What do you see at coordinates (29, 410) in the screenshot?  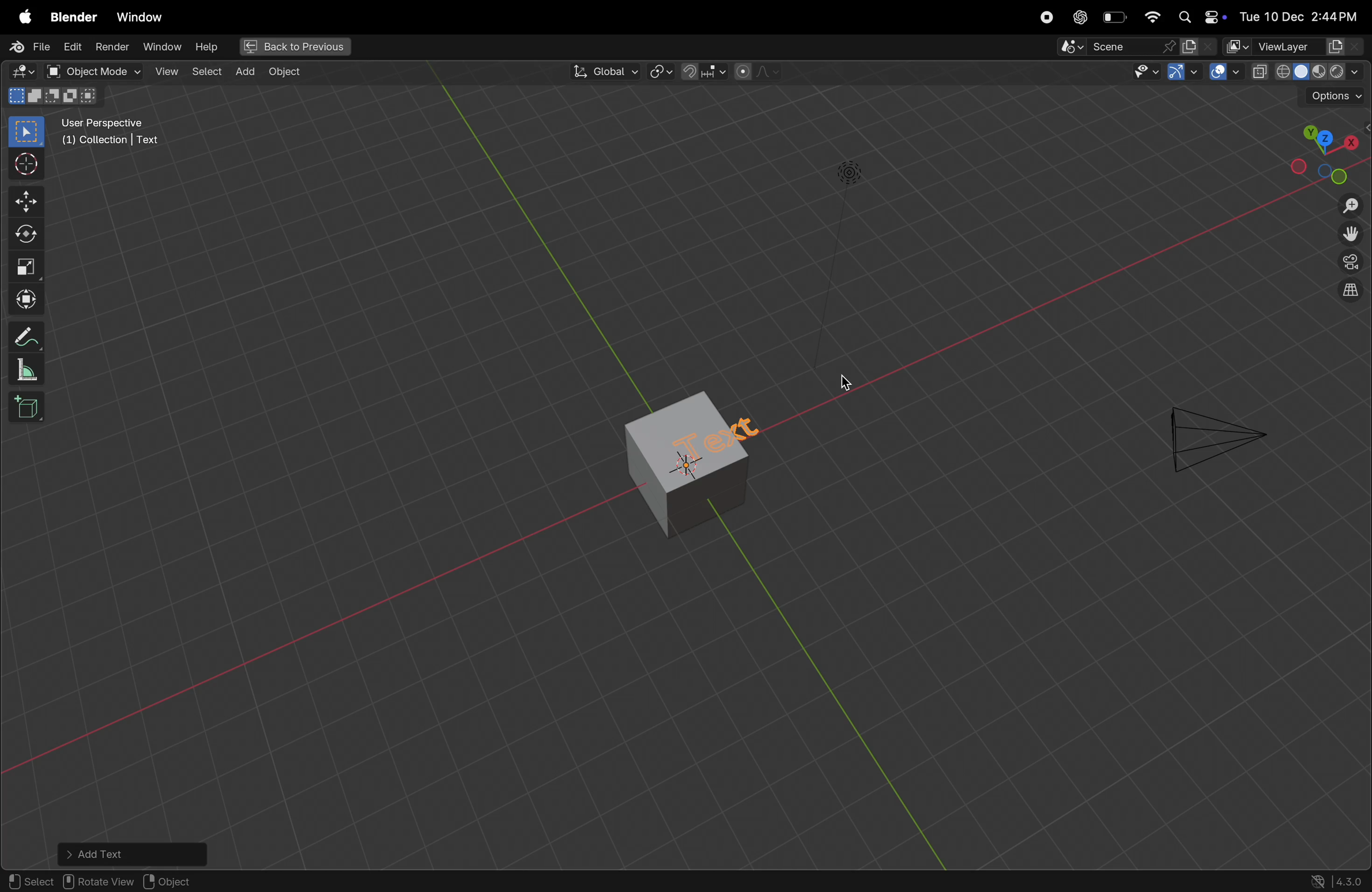 I see `3d box` at bounding box center [29, 410].